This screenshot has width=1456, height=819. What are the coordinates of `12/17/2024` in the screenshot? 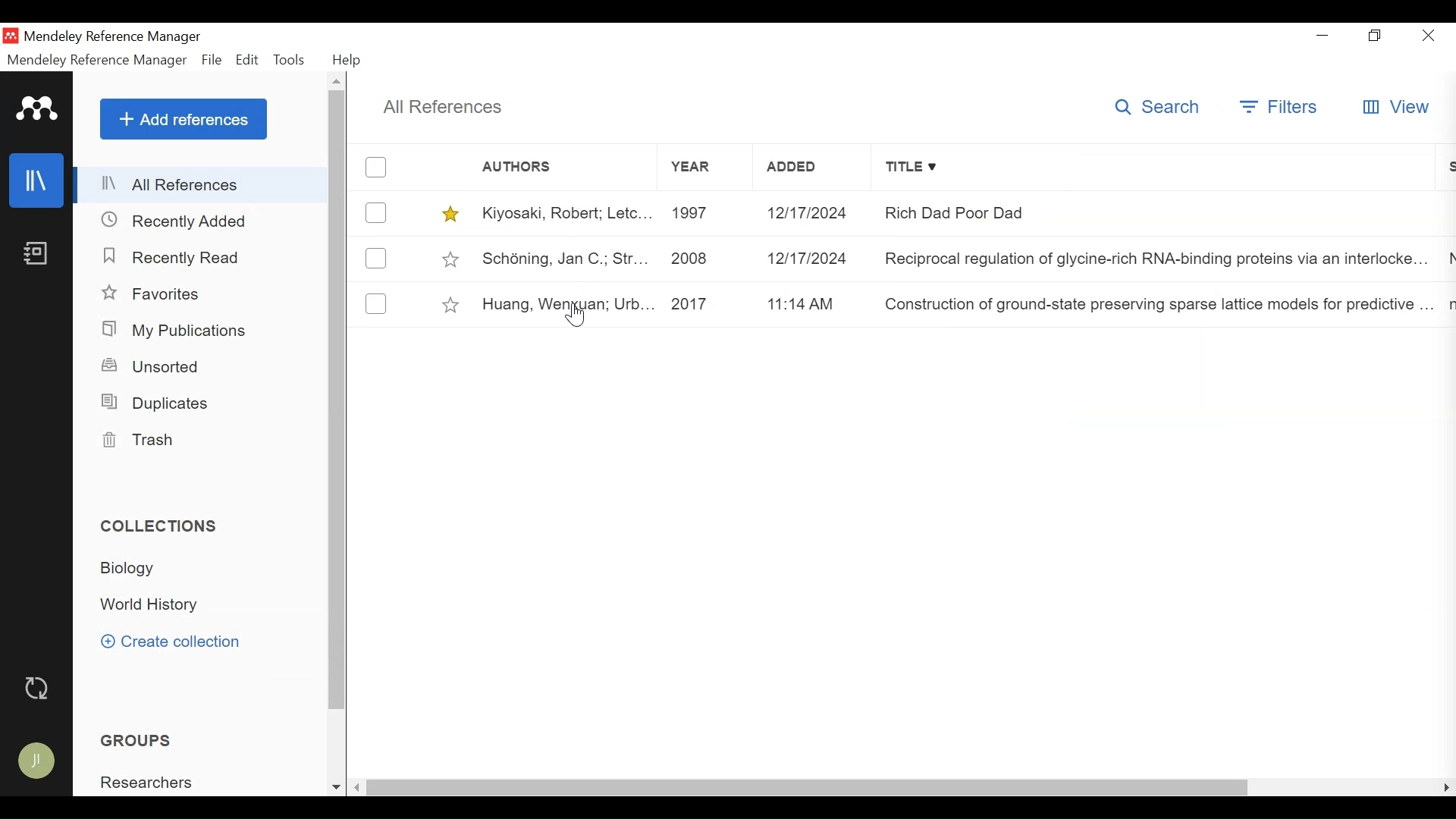 It's located at (811, 212).